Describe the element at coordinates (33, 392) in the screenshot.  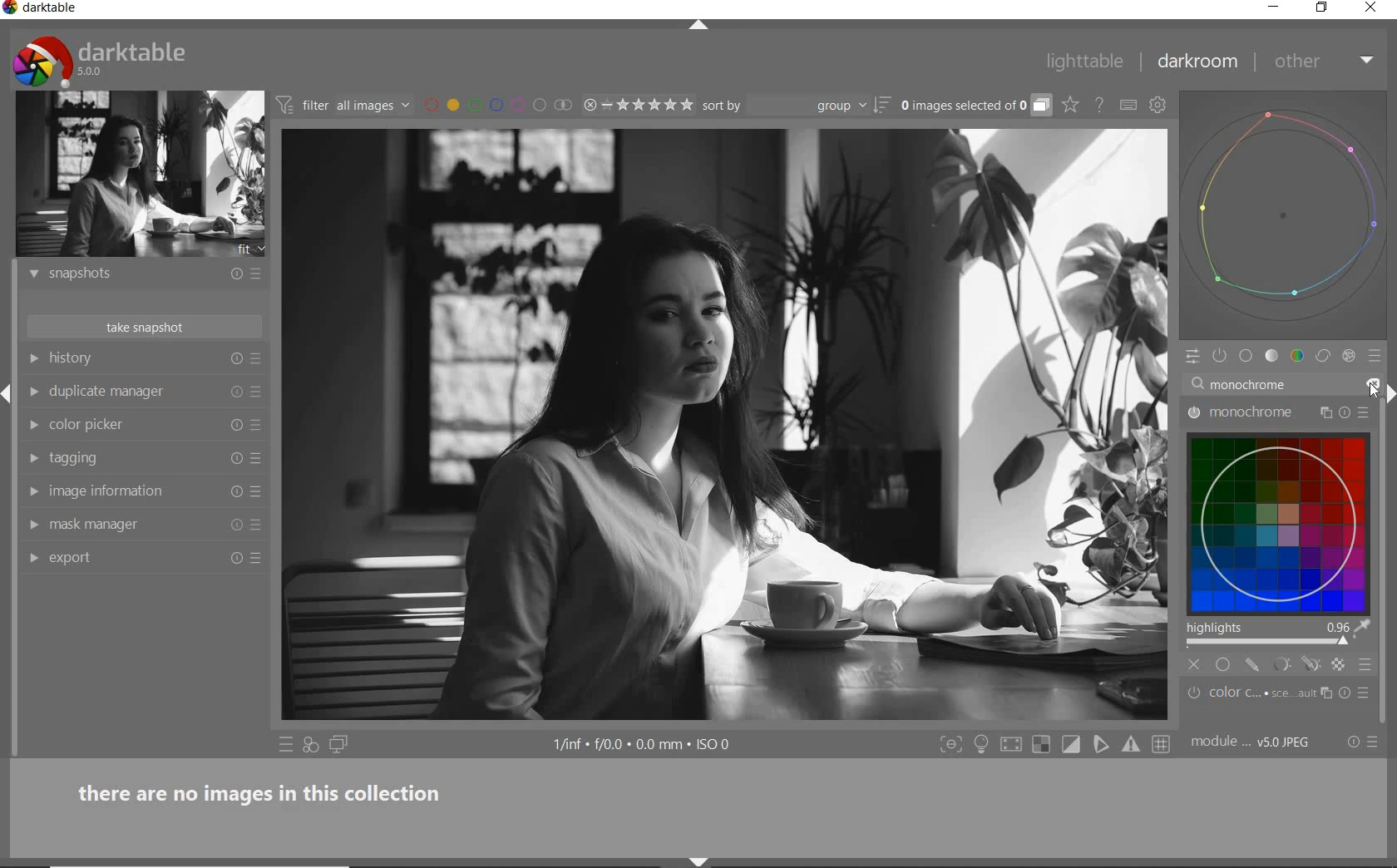
I see `show module` at that location.